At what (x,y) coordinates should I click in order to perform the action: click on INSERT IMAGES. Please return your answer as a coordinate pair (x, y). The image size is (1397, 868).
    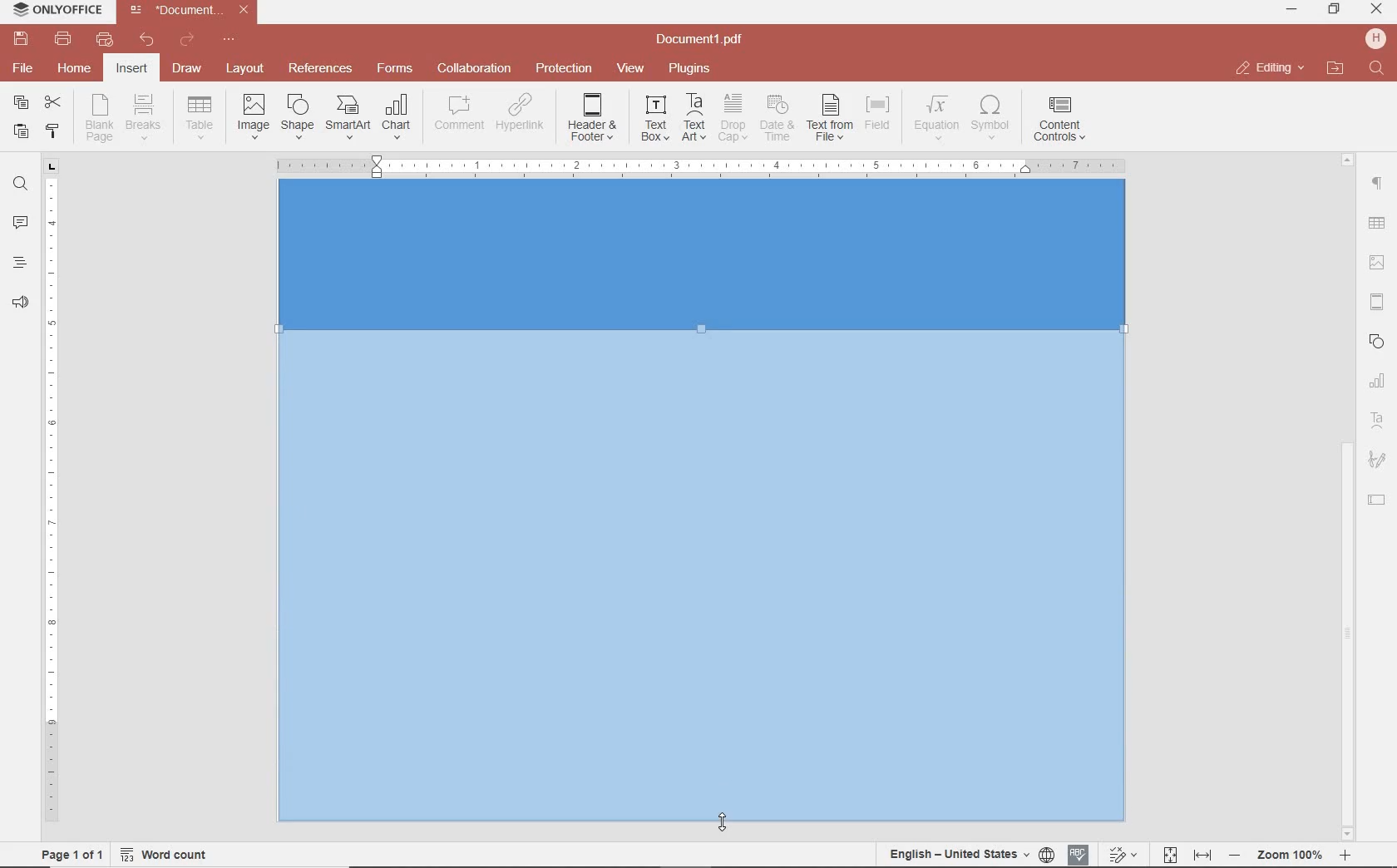
    Looking at the image, I should click on (254, 116).